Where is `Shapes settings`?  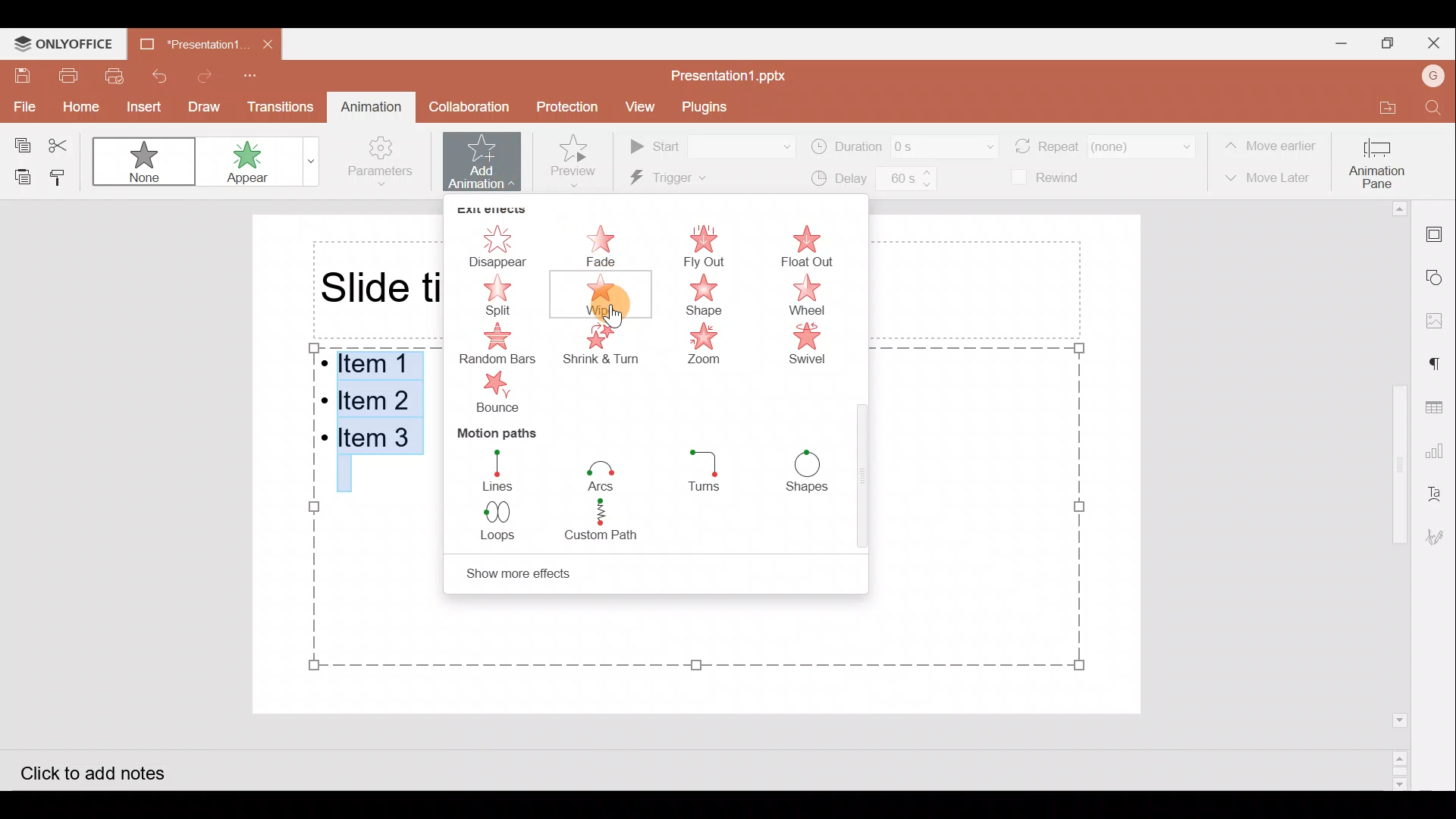 Shapes settings is located at coordinates (1439, 275).